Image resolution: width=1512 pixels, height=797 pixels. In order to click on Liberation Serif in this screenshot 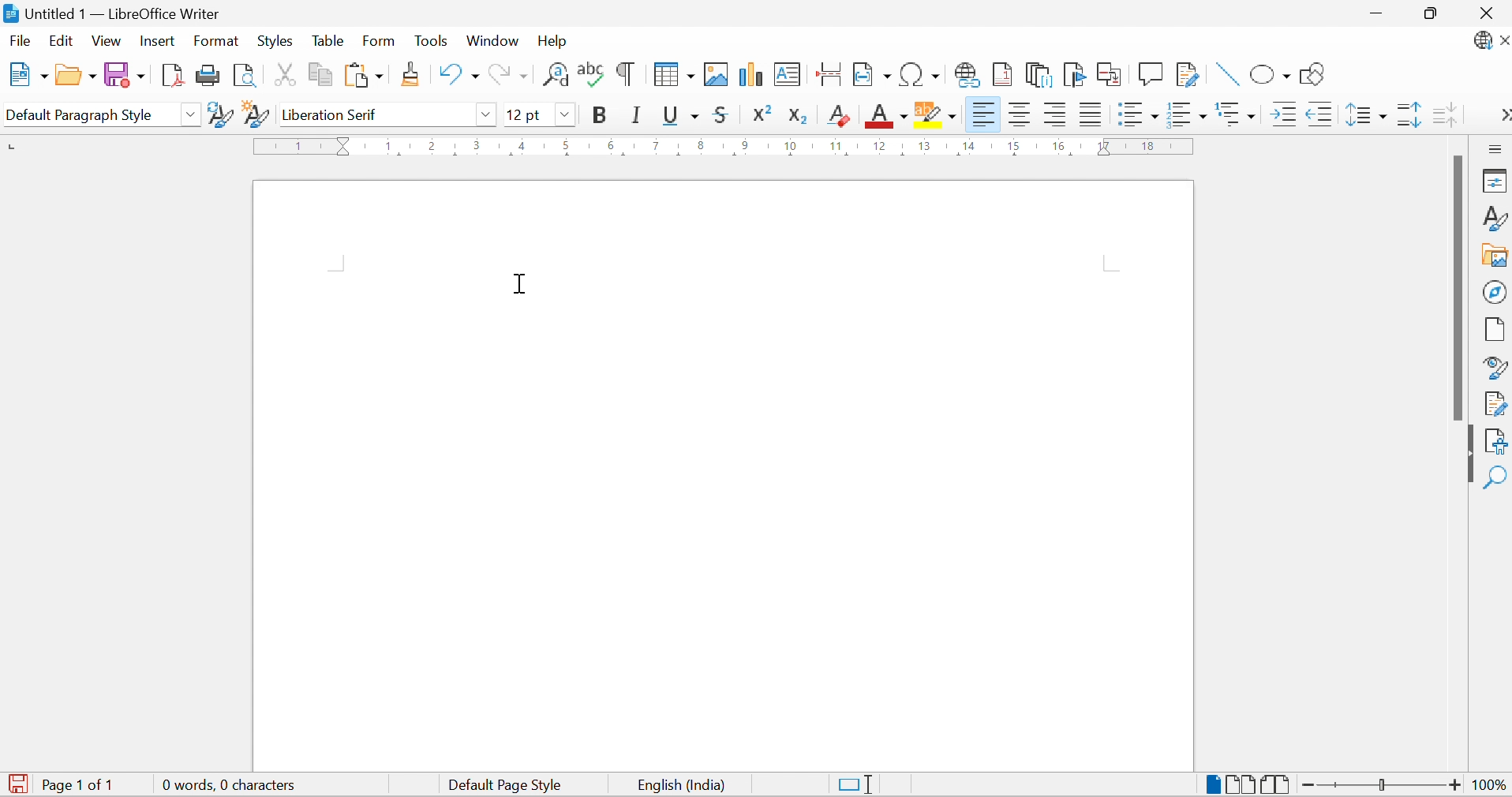, I will do `click(335, 115)`.